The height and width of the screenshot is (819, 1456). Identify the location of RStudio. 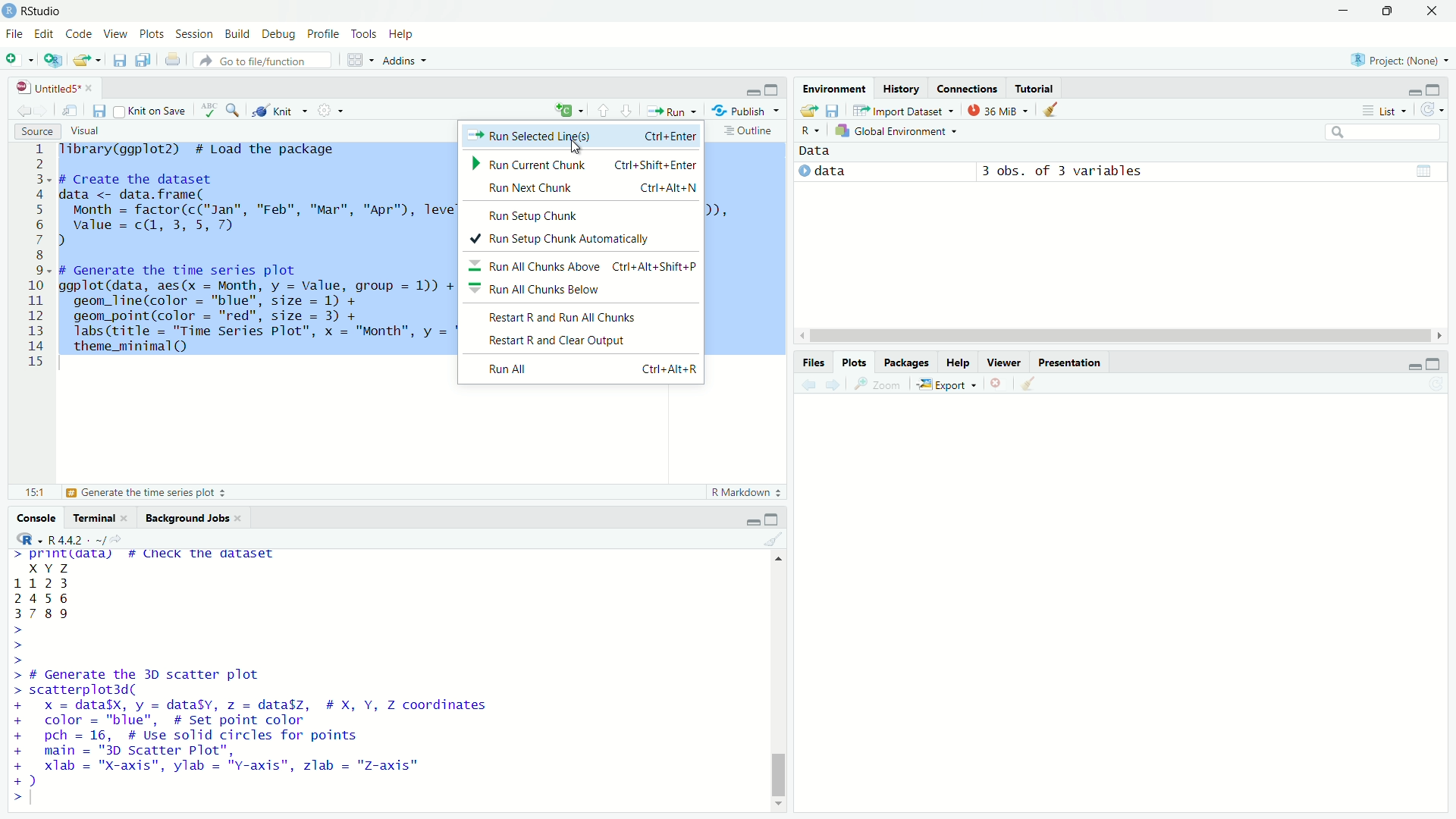
(47, 11).